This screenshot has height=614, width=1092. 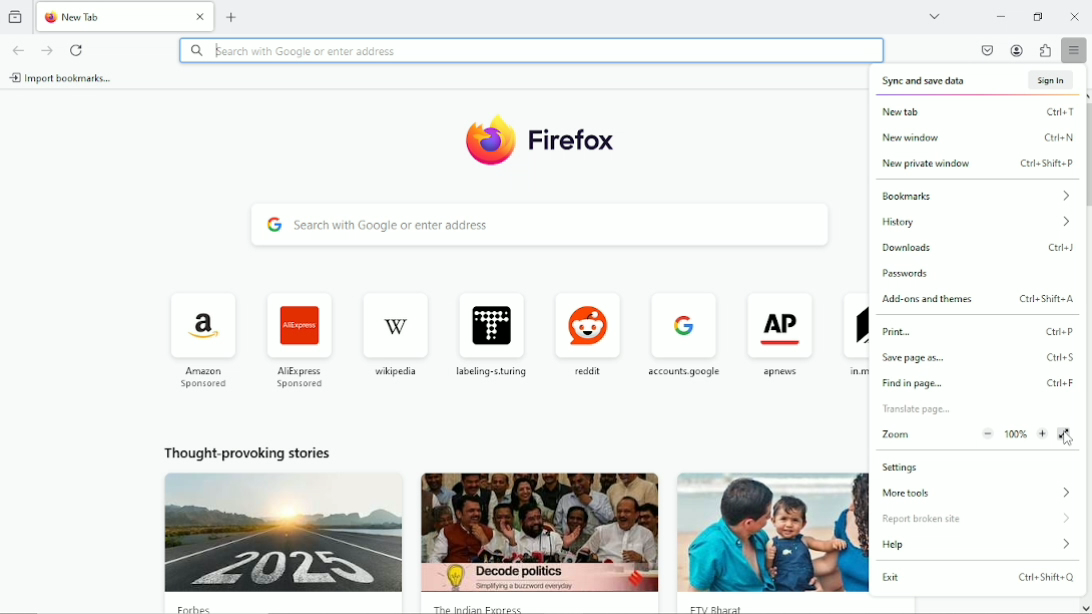 I want to click on minimize, so click(x=999, y=15).